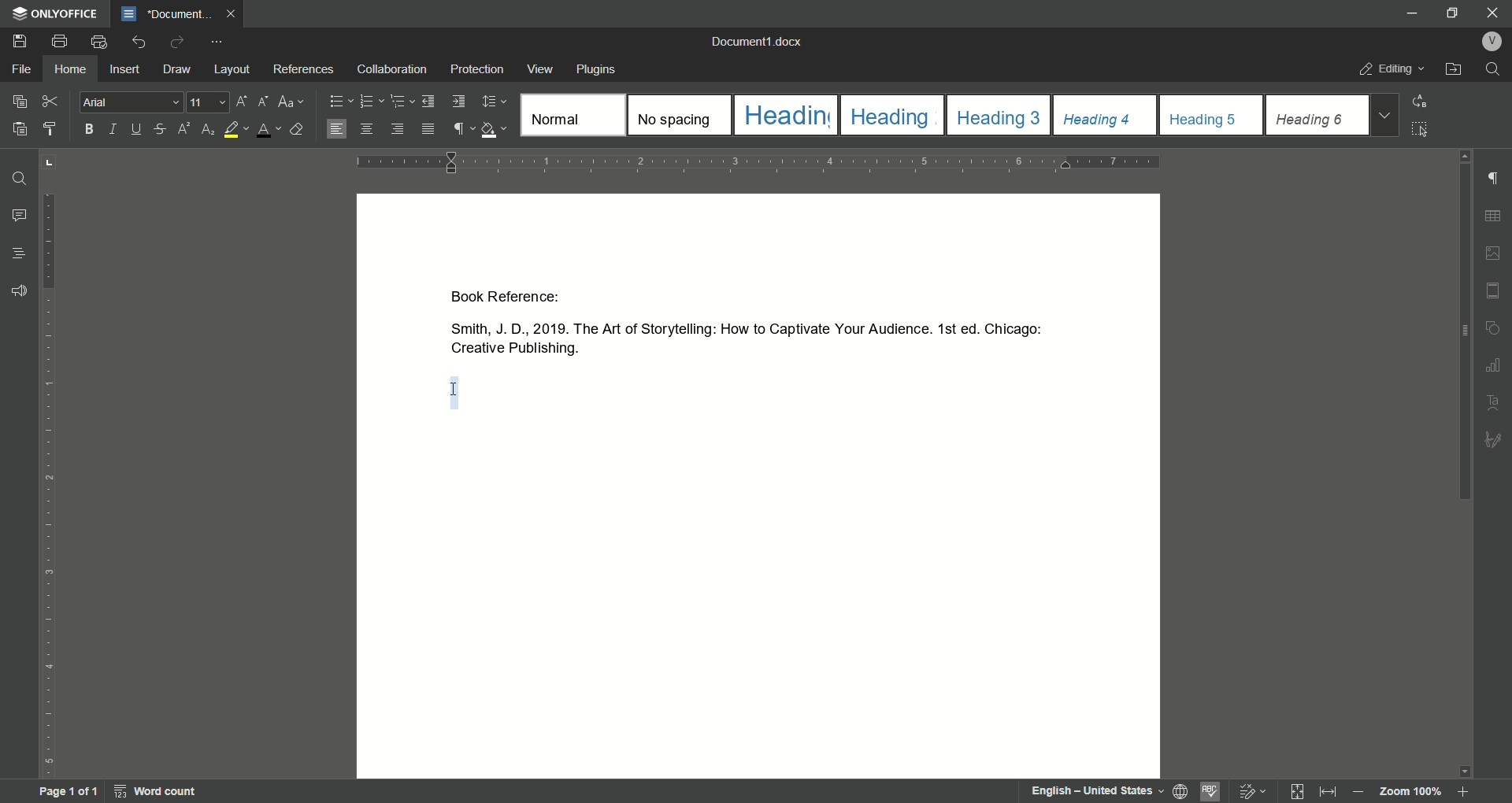  I want to click on headings, so click(679, 115).